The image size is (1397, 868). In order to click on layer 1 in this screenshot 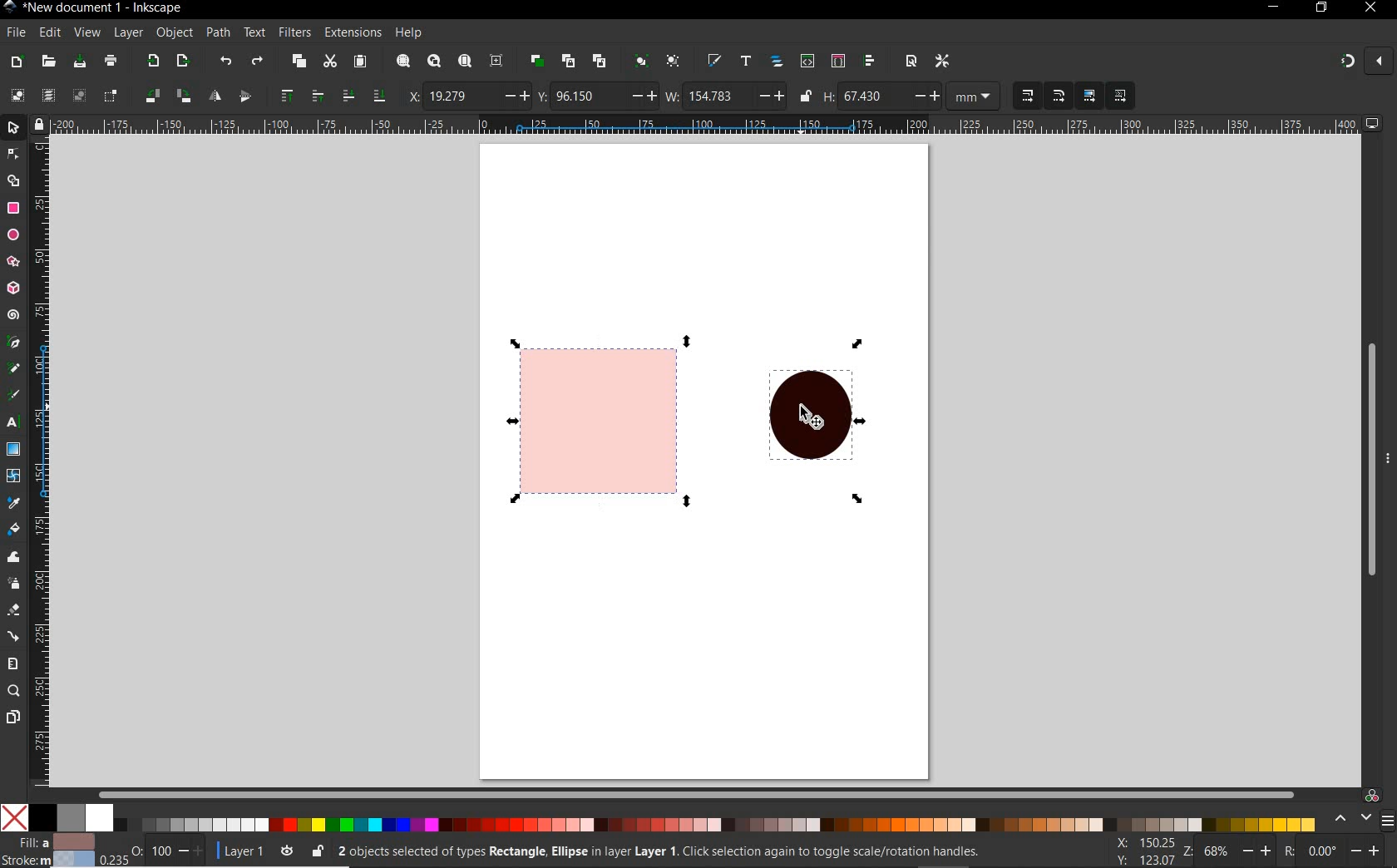, I will do `click(257, 850)`.